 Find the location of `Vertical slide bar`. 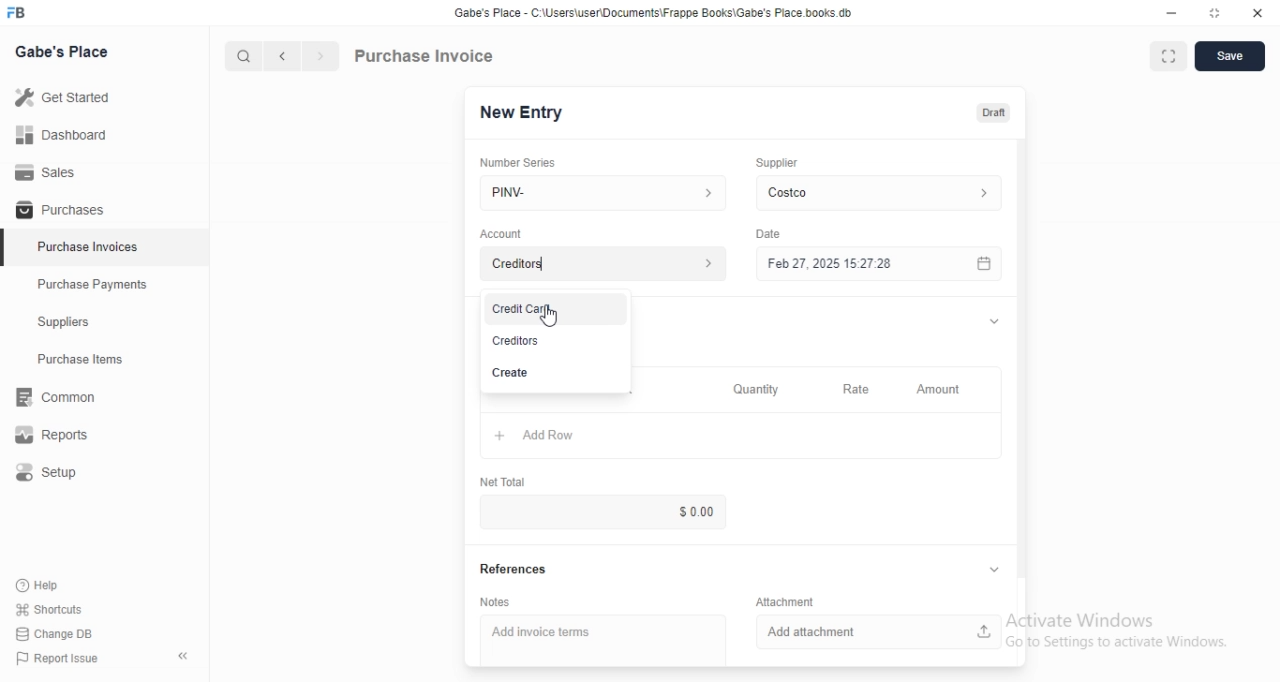

Vertical slide bar is located at coordinates (1022, 365).